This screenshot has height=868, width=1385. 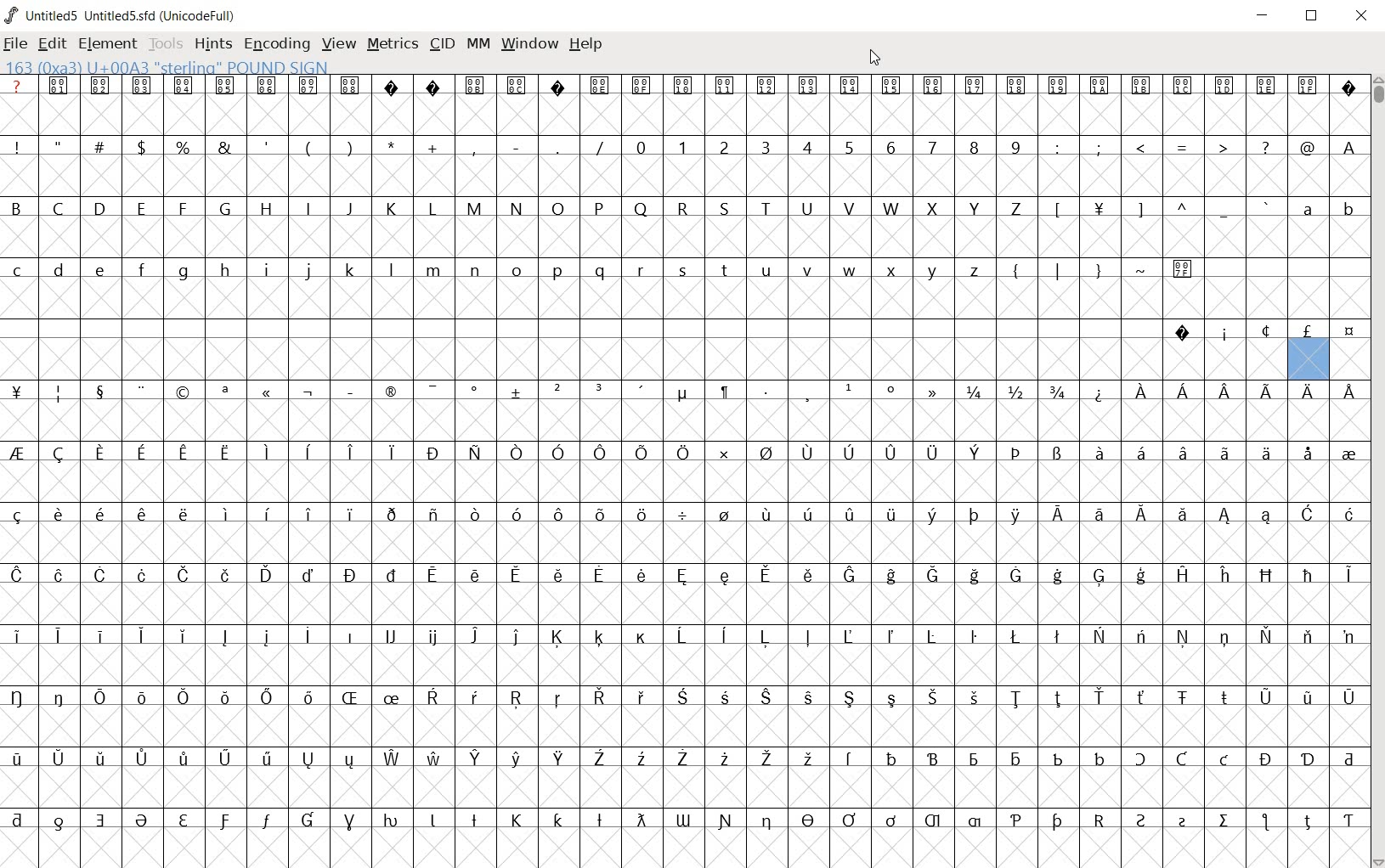 What do you see at coordinates (99, 513) in the screenshot?
I see `Symbol` at bounding box center [99, 513].